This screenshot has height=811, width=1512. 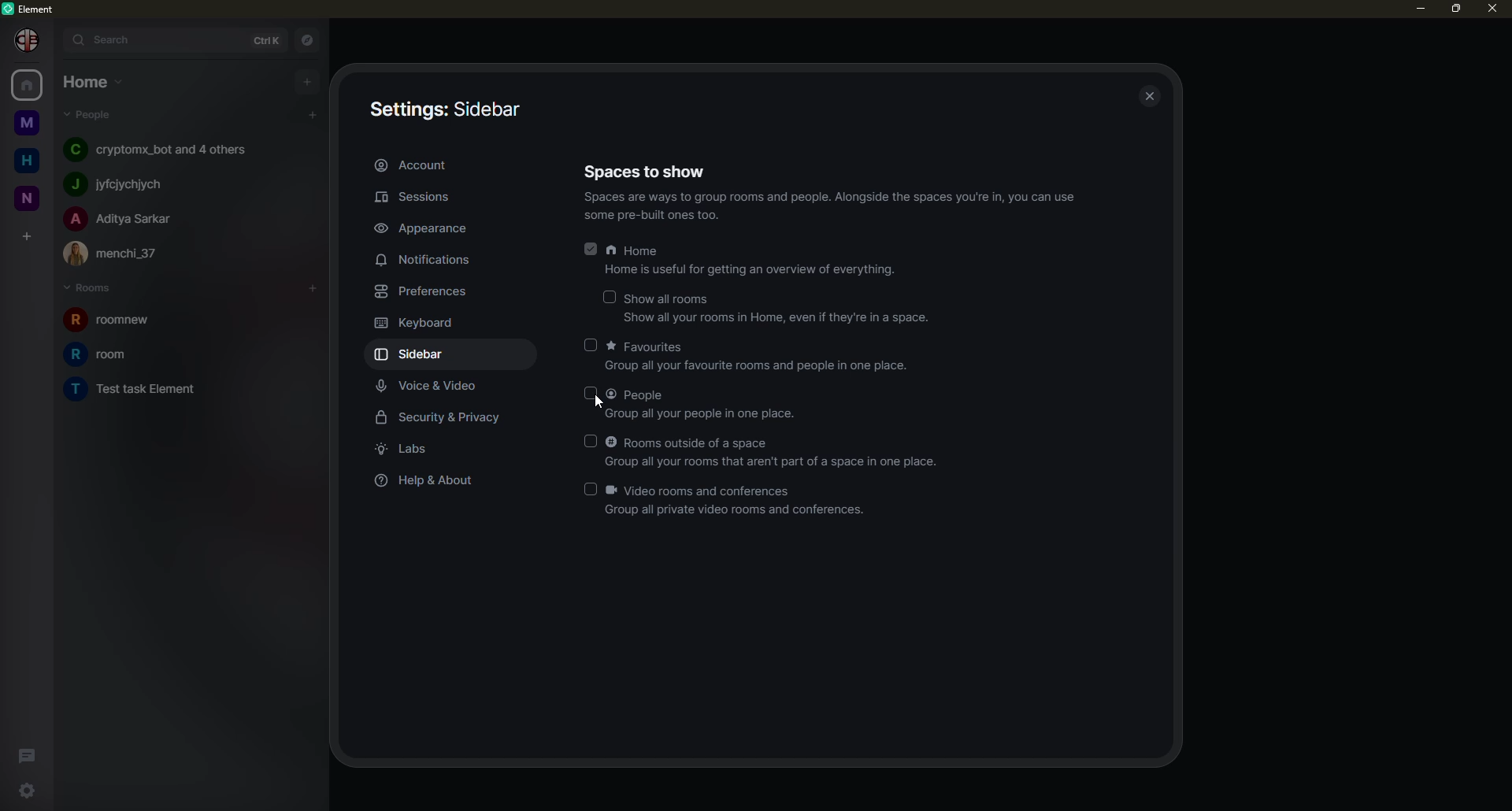 I want to click on cursor, so click(x=602, y=405).